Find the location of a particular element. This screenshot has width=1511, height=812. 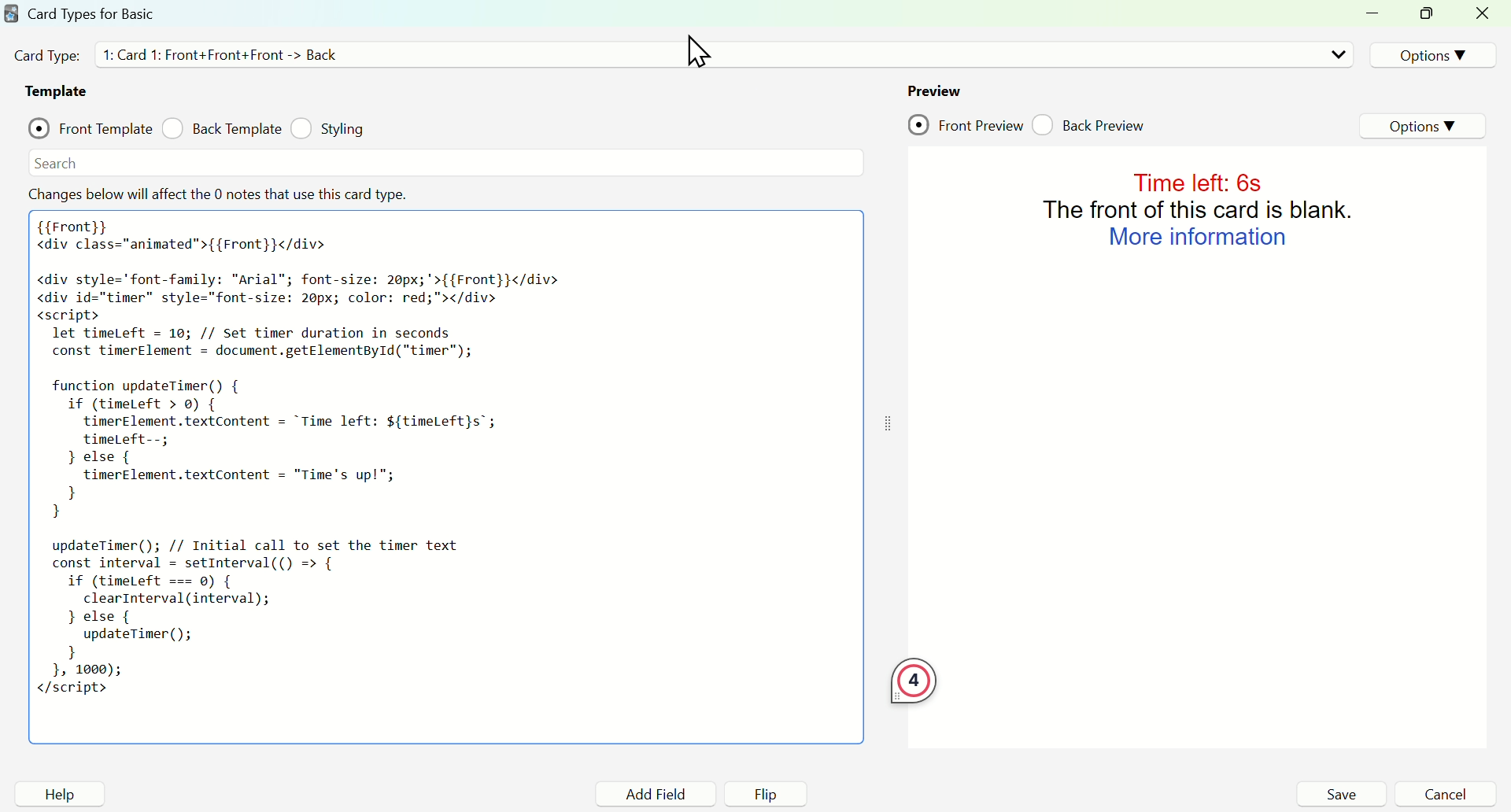

Card Types for Basic is located at coordinates (92, 13).